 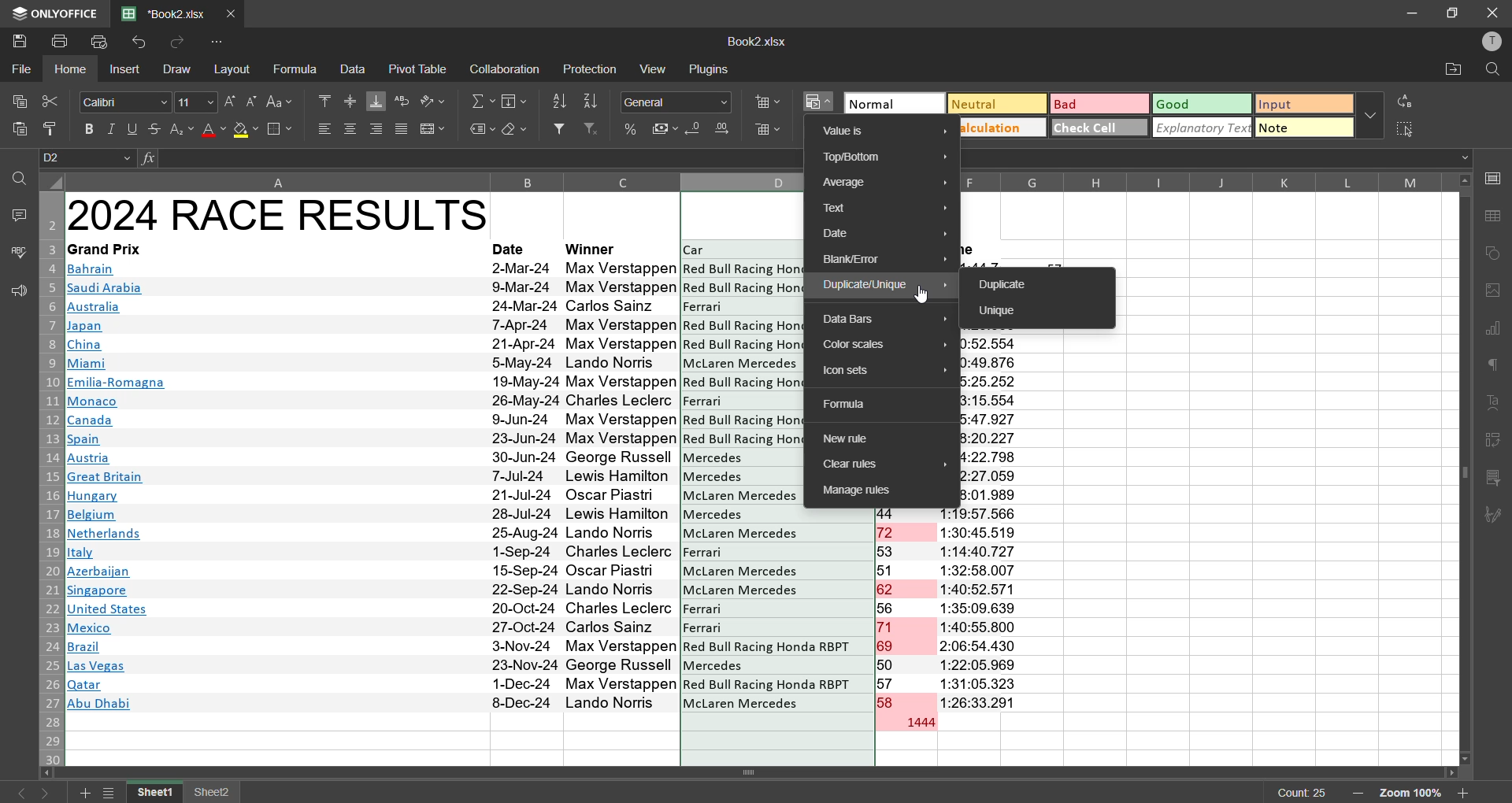 What do you see at coordinates (432, 101) in the screenshot?
I see `orientation` at bounding box center [432, 101].